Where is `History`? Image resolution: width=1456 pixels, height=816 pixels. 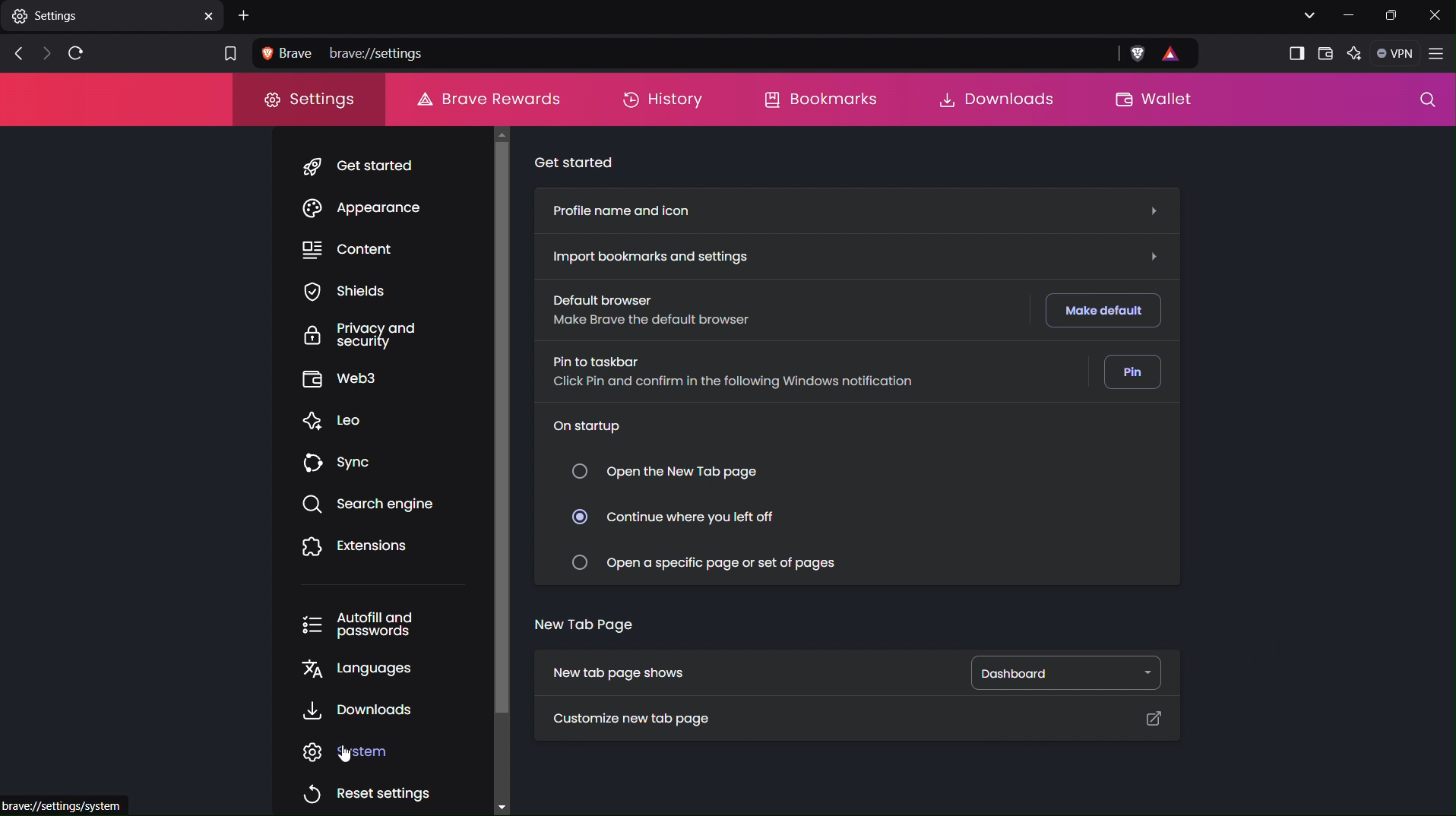 History is located at coordinates (661, 100).